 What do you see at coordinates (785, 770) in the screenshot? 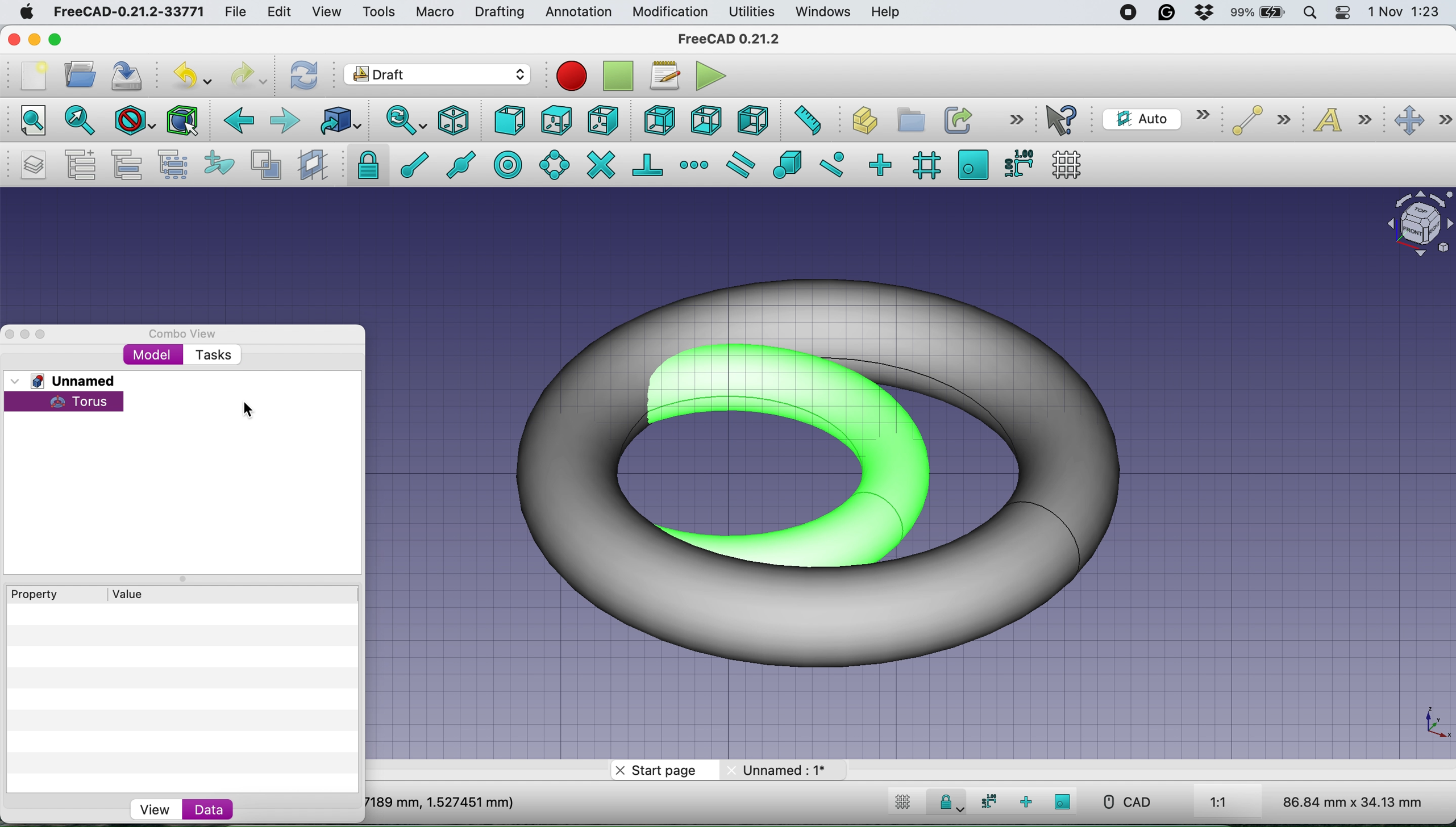
I see `unnamed: 1*` at bounding box center [785, 770].